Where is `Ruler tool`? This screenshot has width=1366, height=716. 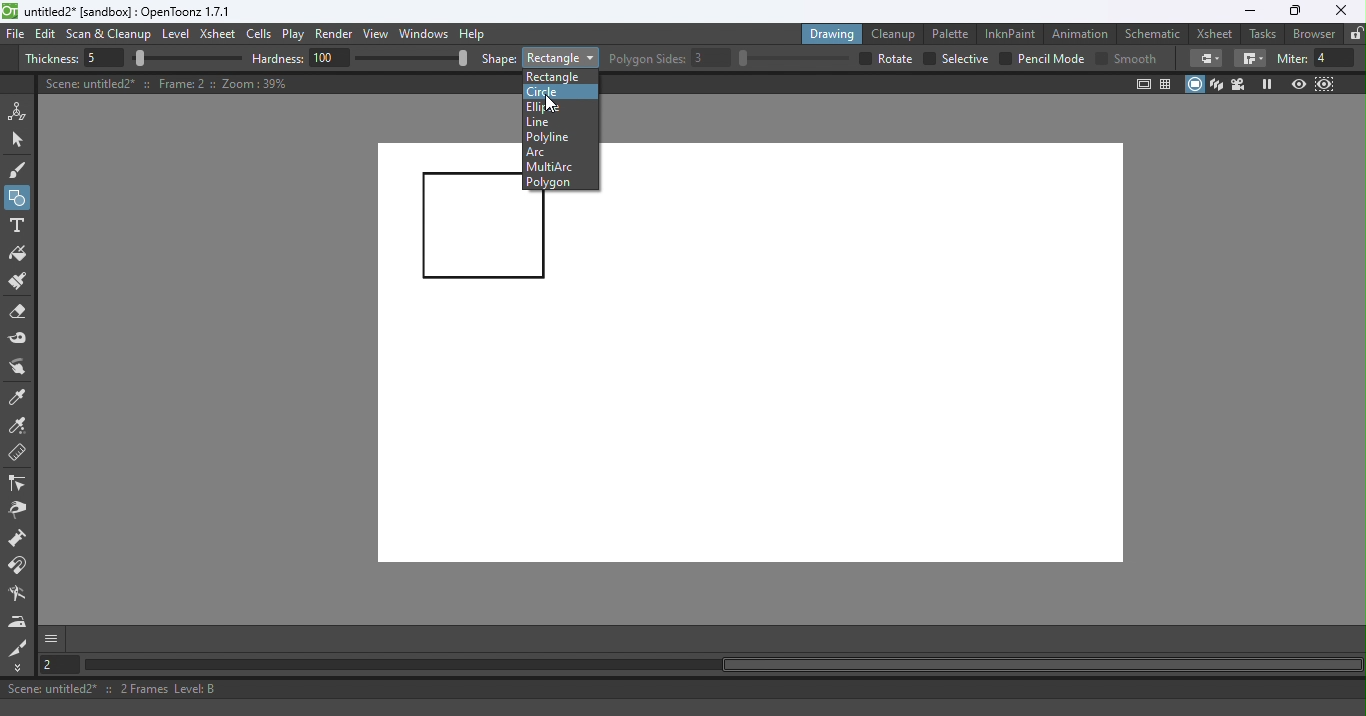 Ruler tool is located at coordinates (18, 455).